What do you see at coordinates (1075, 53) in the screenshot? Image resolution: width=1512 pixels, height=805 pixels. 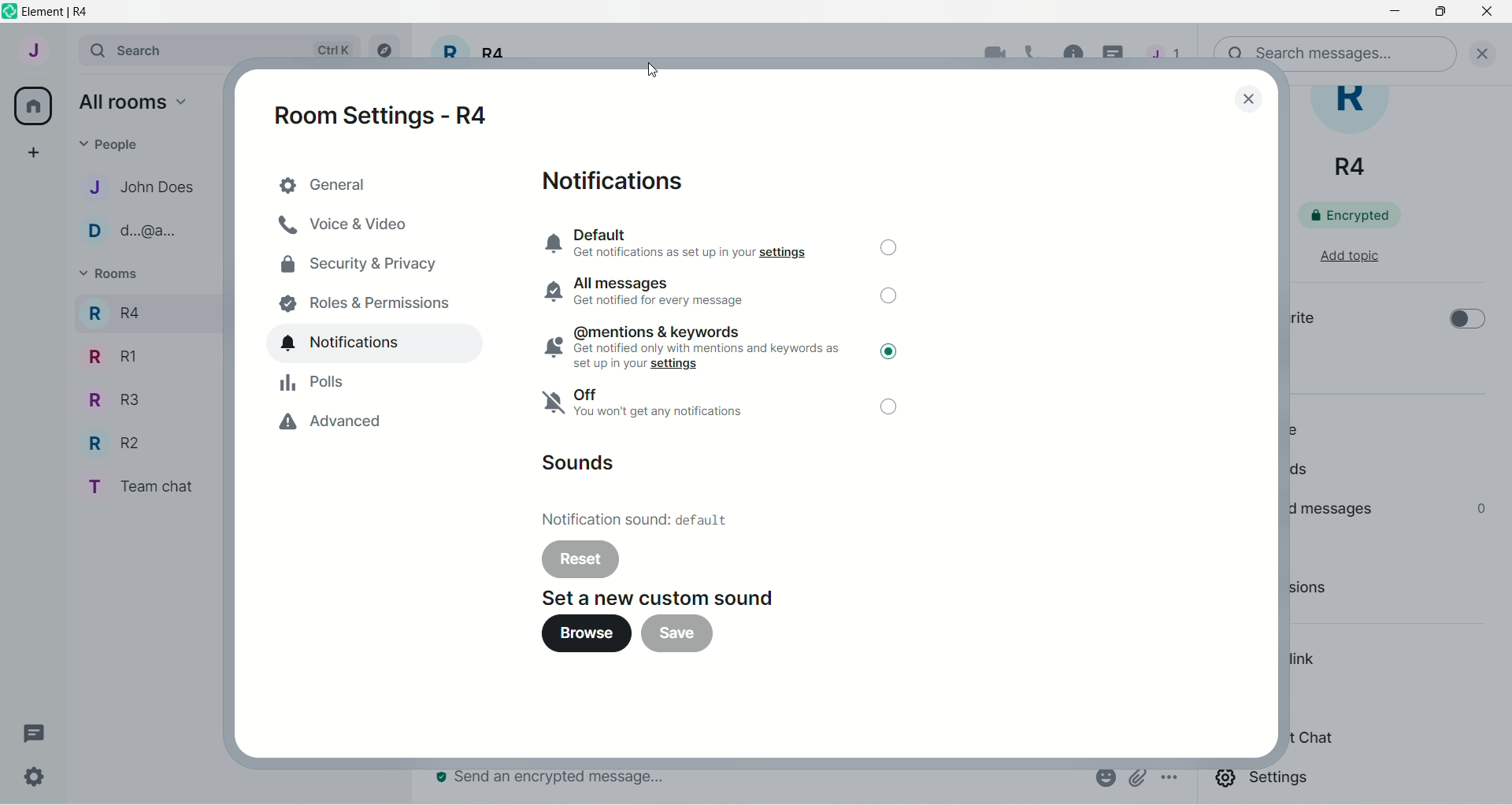 I see `room info` at bounding box center [1075, 53].